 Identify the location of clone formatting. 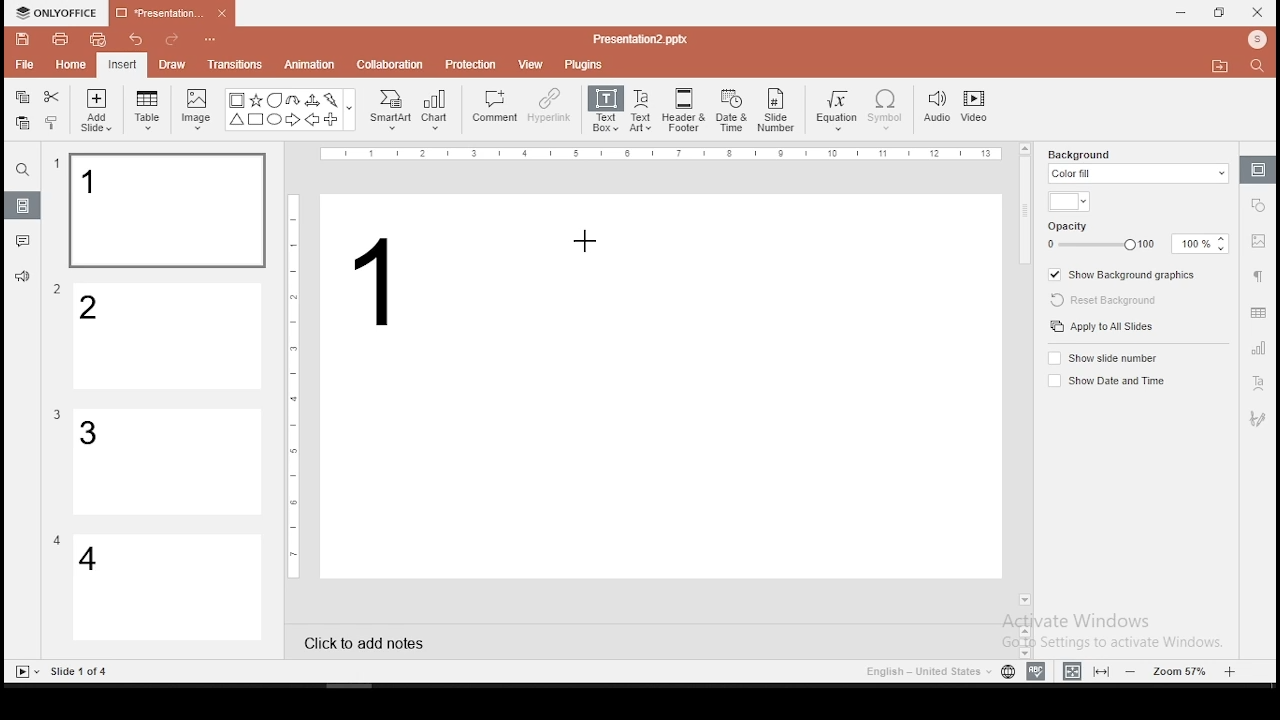
(52, 122).